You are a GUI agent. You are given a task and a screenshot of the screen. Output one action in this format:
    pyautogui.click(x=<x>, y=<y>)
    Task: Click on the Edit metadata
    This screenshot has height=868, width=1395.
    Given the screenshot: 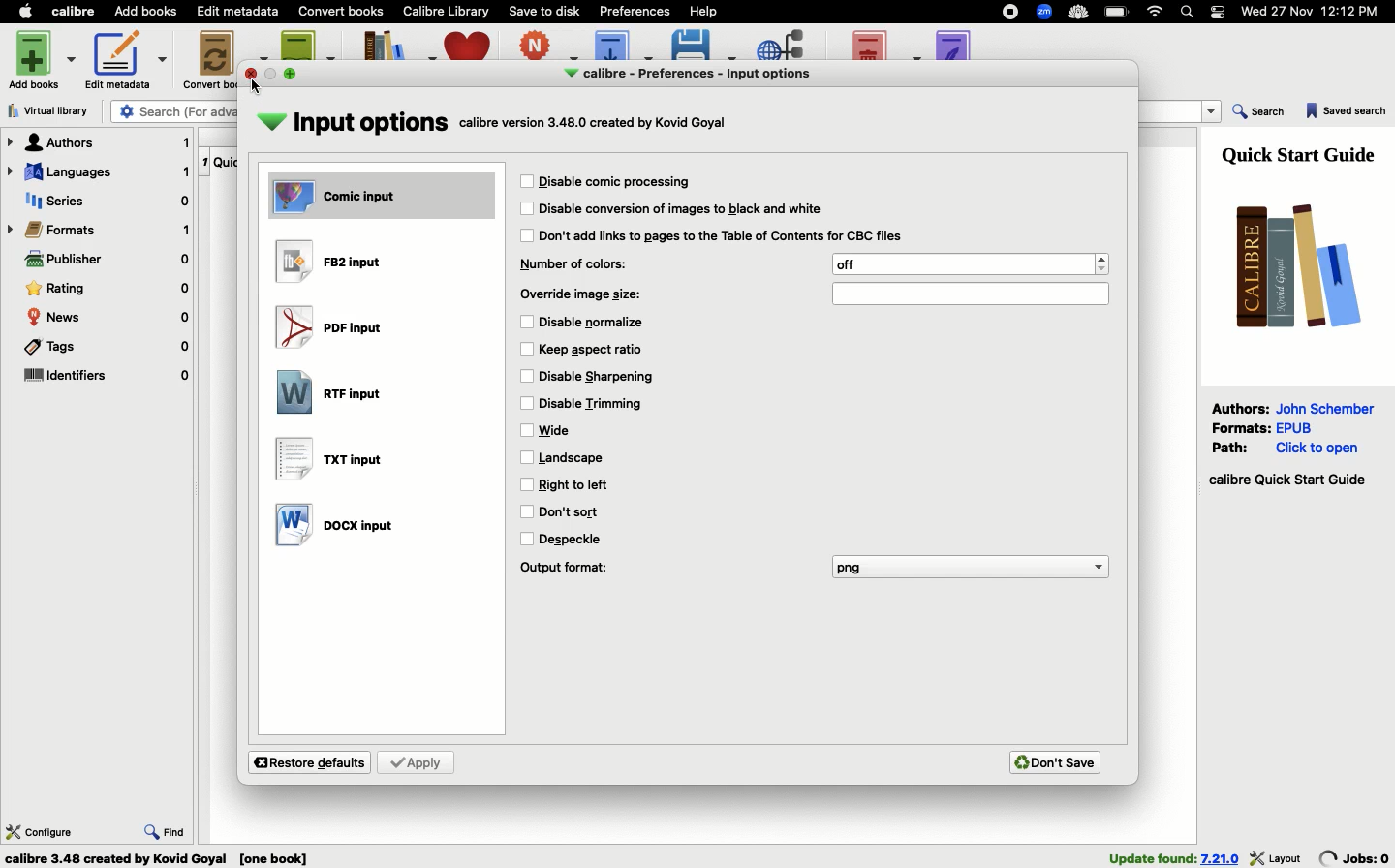 What is the action you would take?
    pyautogui.click(x=239, y=12)
    